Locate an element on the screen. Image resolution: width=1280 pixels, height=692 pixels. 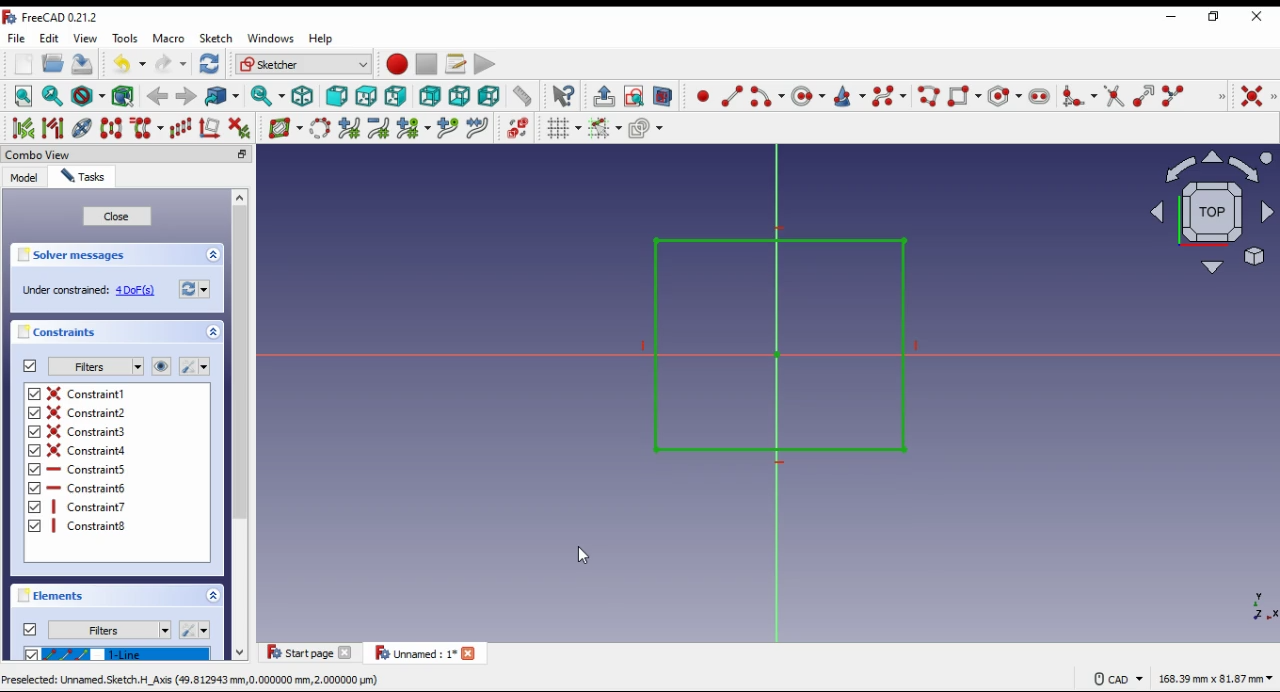
sketch is located at coordinates (217, 39).